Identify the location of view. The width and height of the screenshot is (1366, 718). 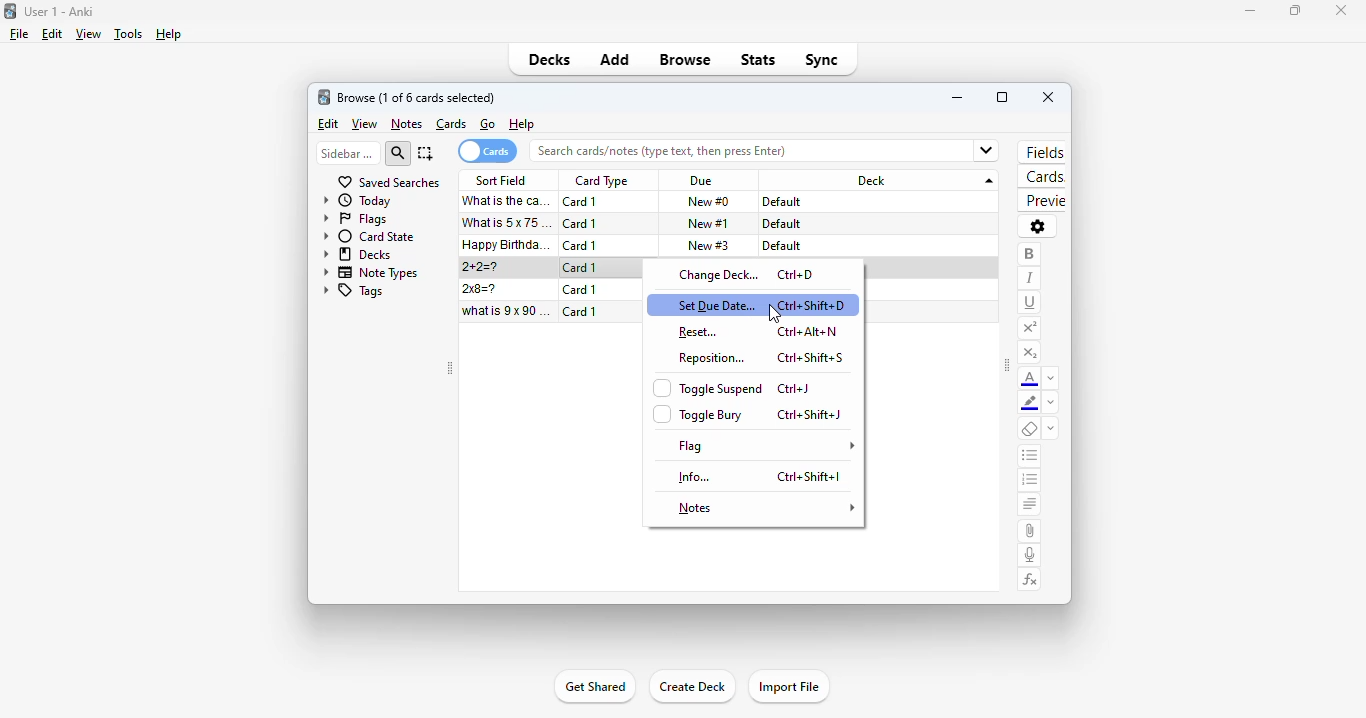
(364, 124).